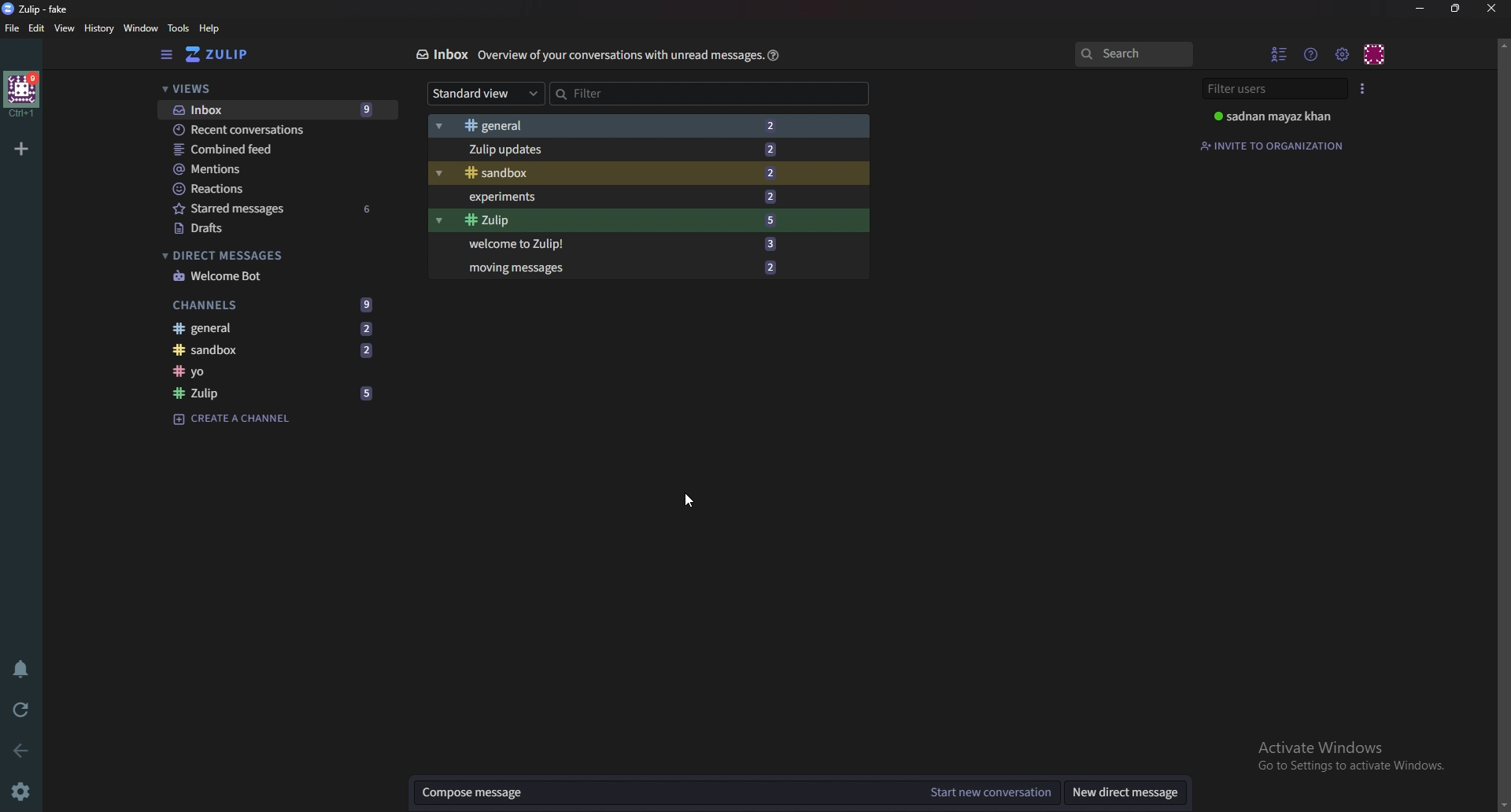  Describe the element at coordinates (98, 28) in the screenshot. I see `History` at that location.